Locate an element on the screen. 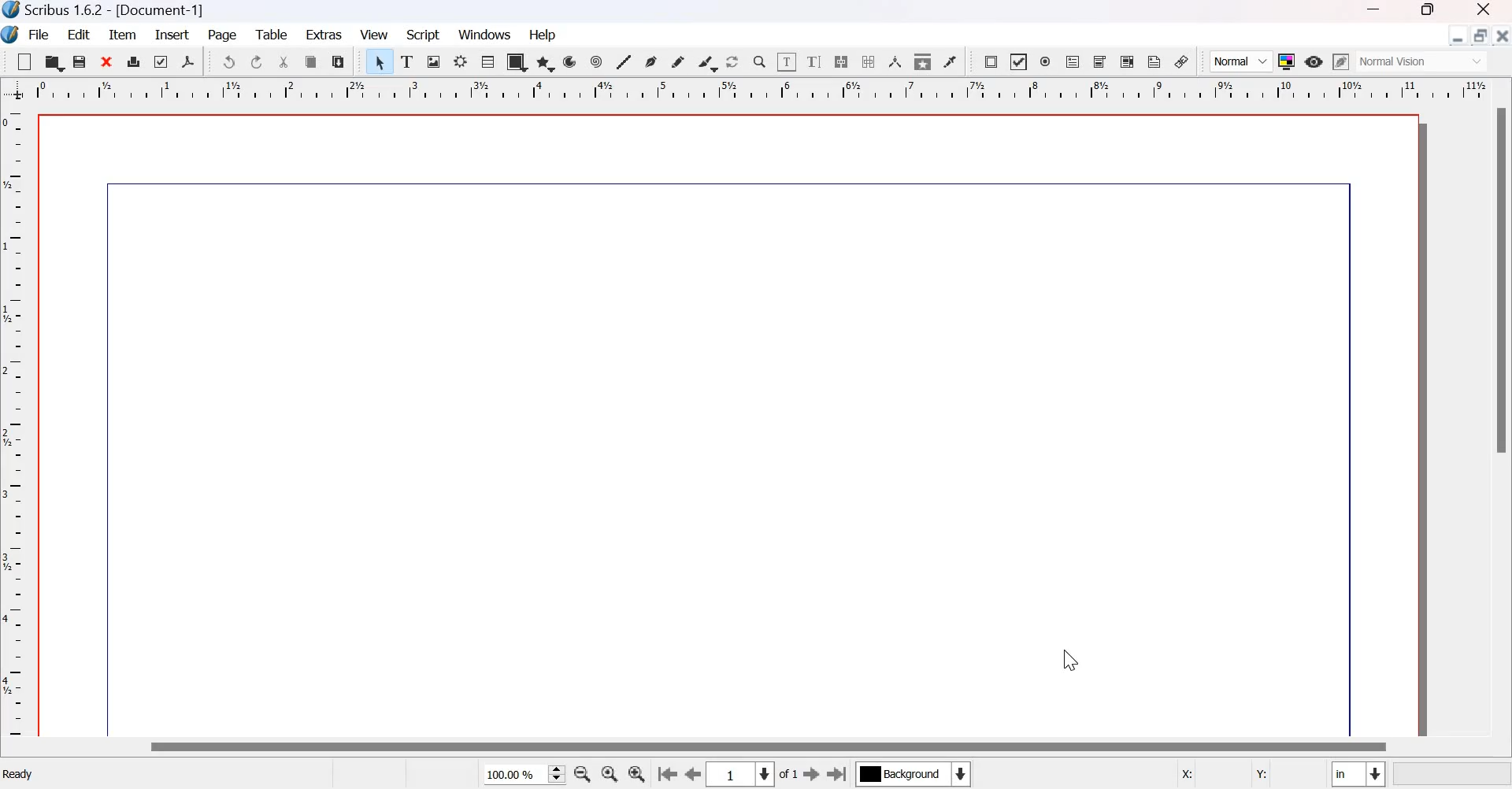  Measurements is located at coordinates (895, 62).